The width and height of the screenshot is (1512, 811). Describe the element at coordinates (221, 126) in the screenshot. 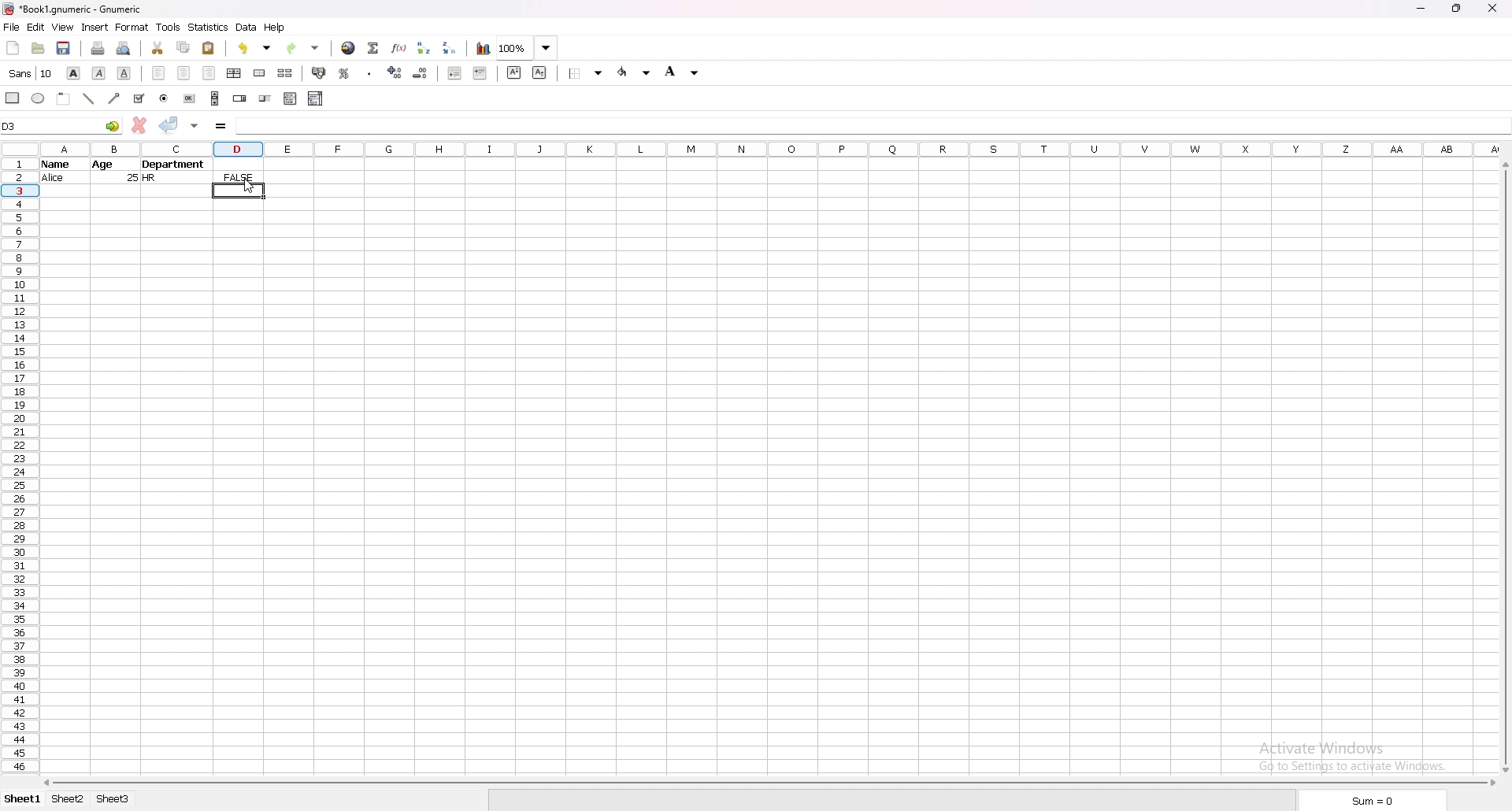

I see `formula` at that location.